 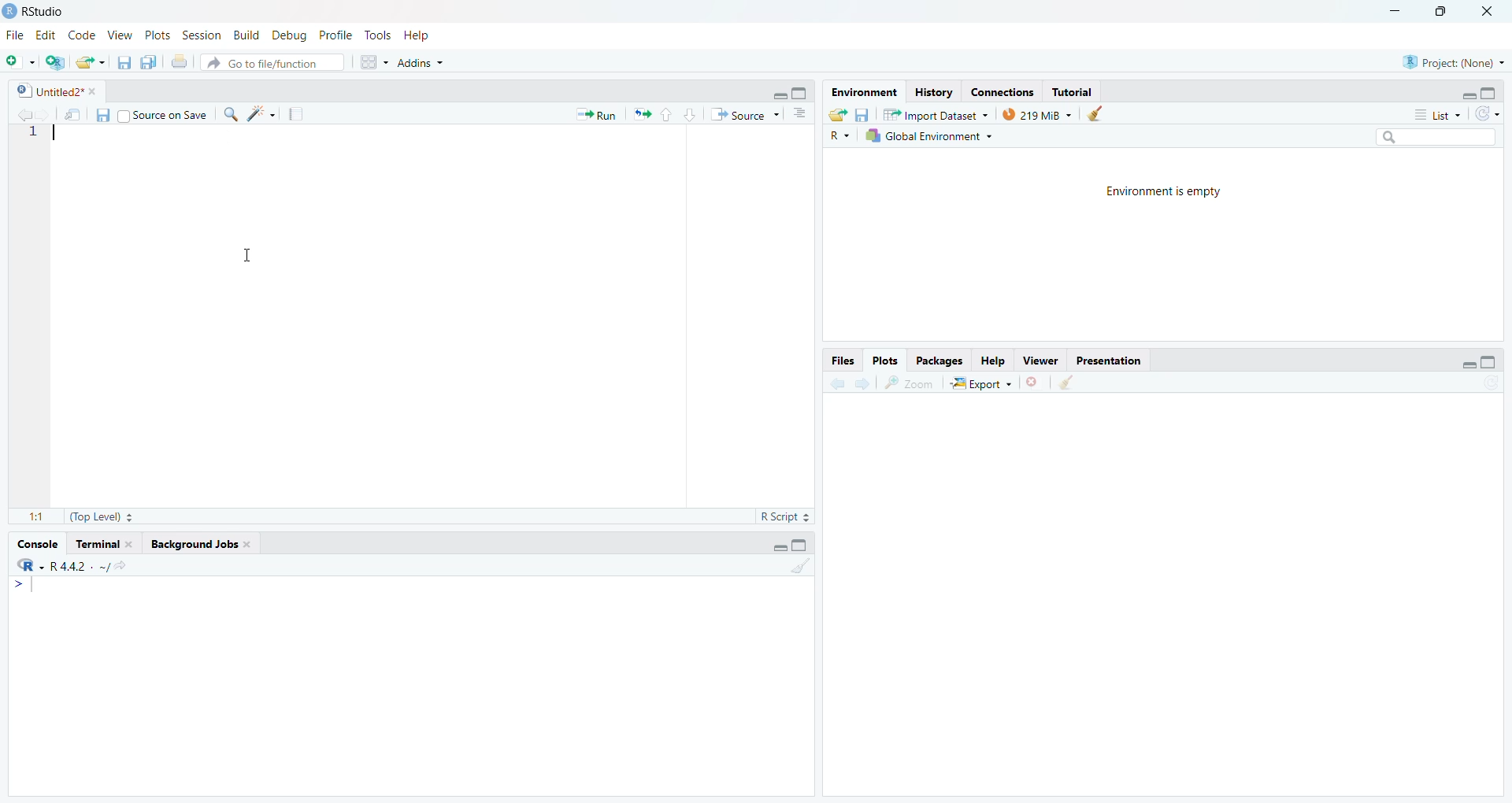 What do you see at coordinates (120, 35) in the screenshot?
I see `View` at bounding box center [120, 35].